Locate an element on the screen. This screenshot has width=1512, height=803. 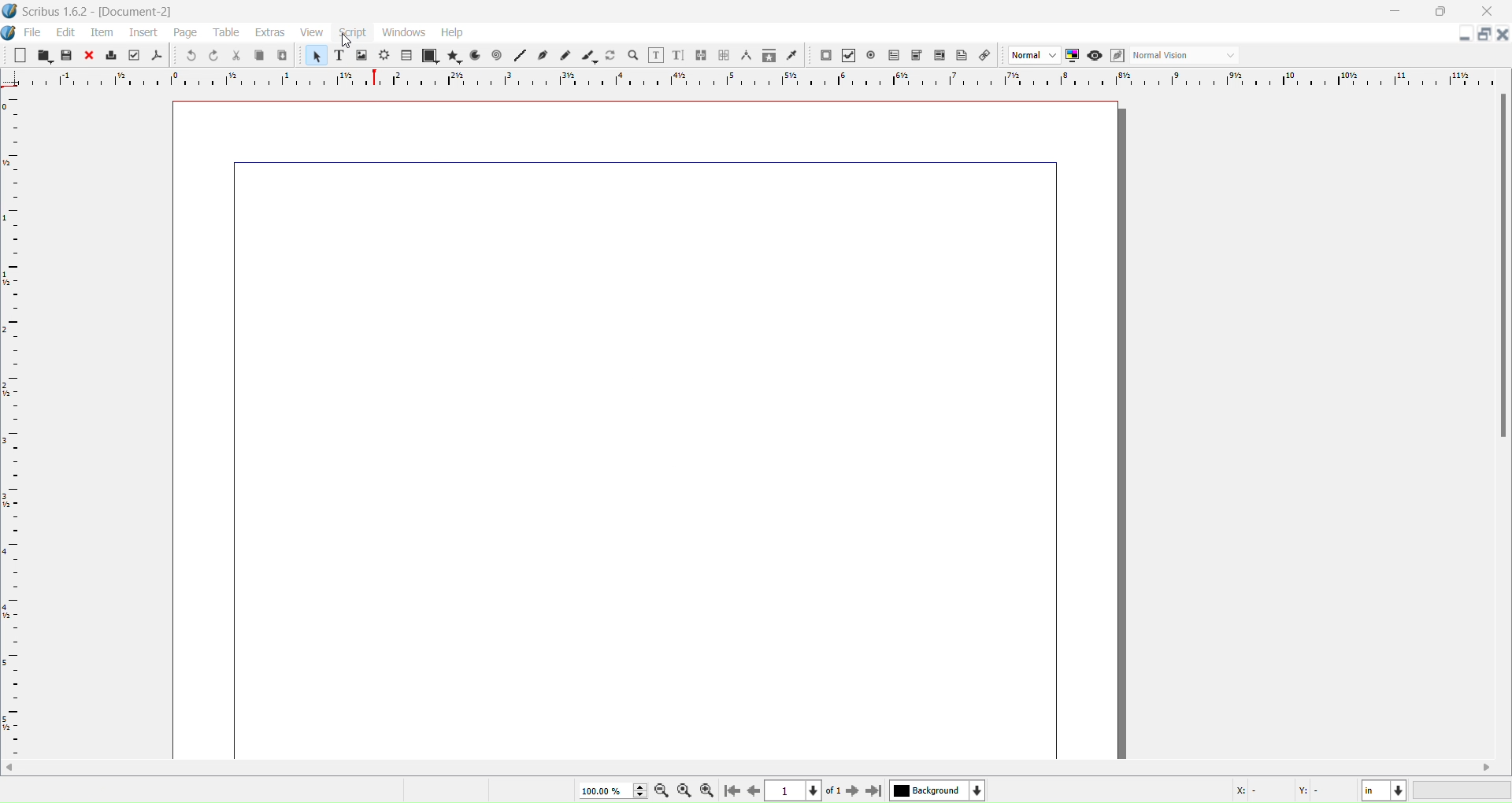
Eye Dropper is located at coordinates (794, 55).